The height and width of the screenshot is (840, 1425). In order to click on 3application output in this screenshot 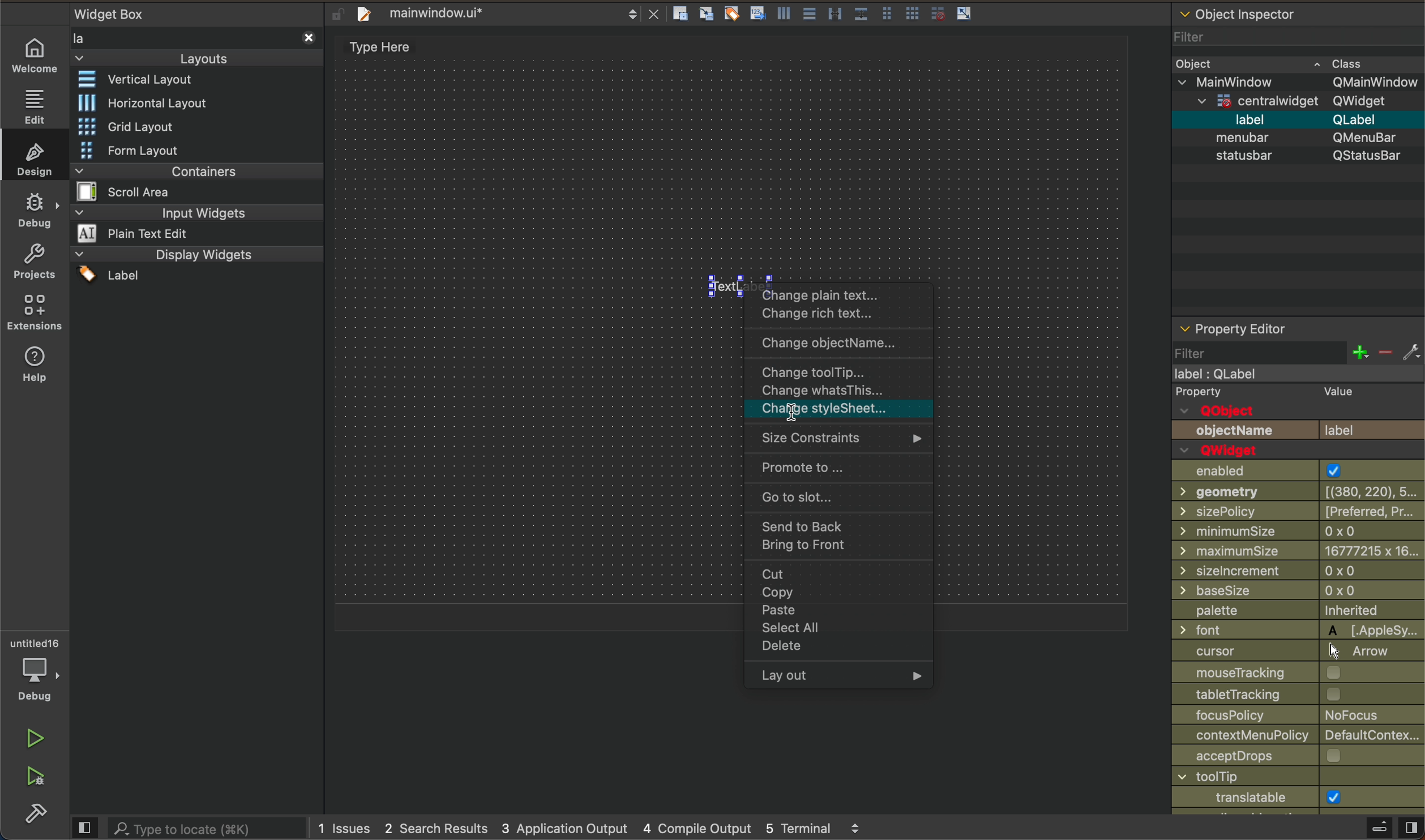, I will do `click(570, 828)`.